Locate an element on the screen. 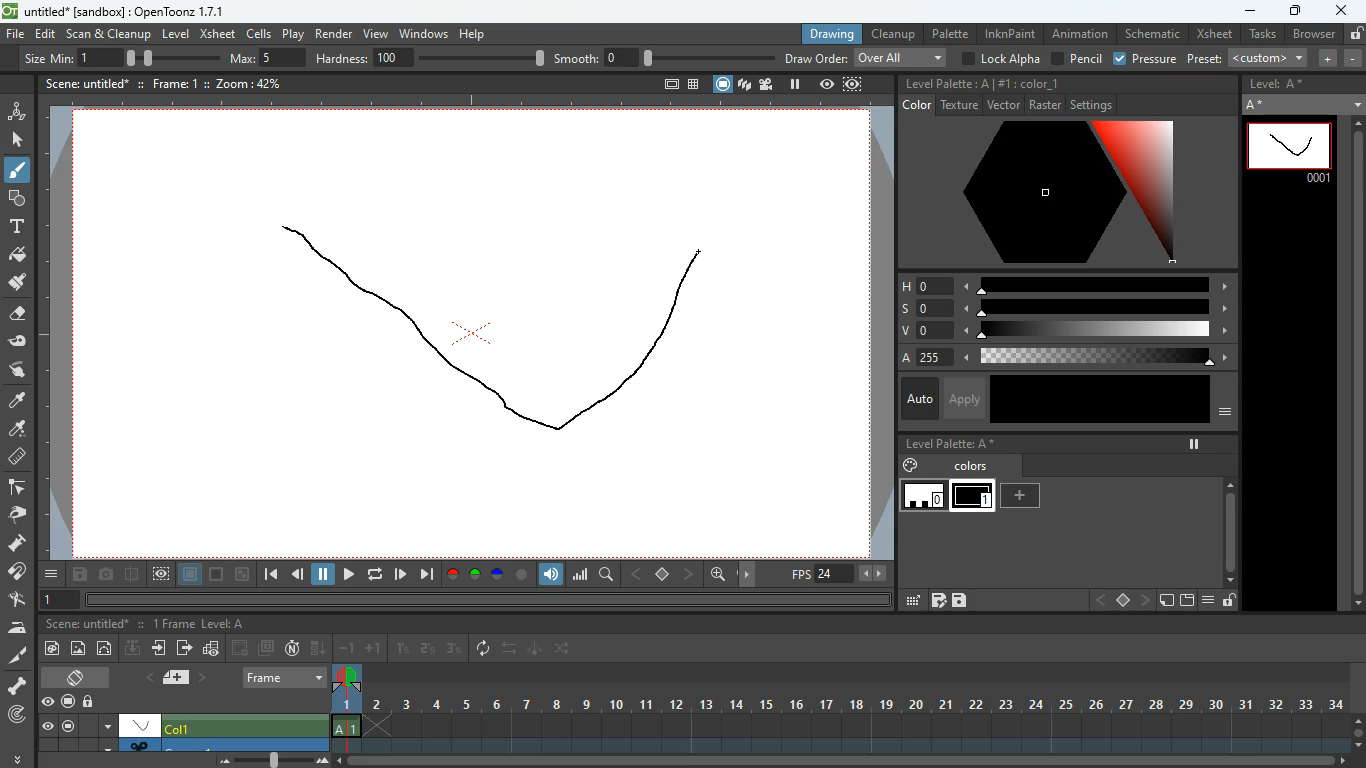 Image resolution: width=1366 pixels, height=768 pixels. apply is located at coordinates (963, 398).